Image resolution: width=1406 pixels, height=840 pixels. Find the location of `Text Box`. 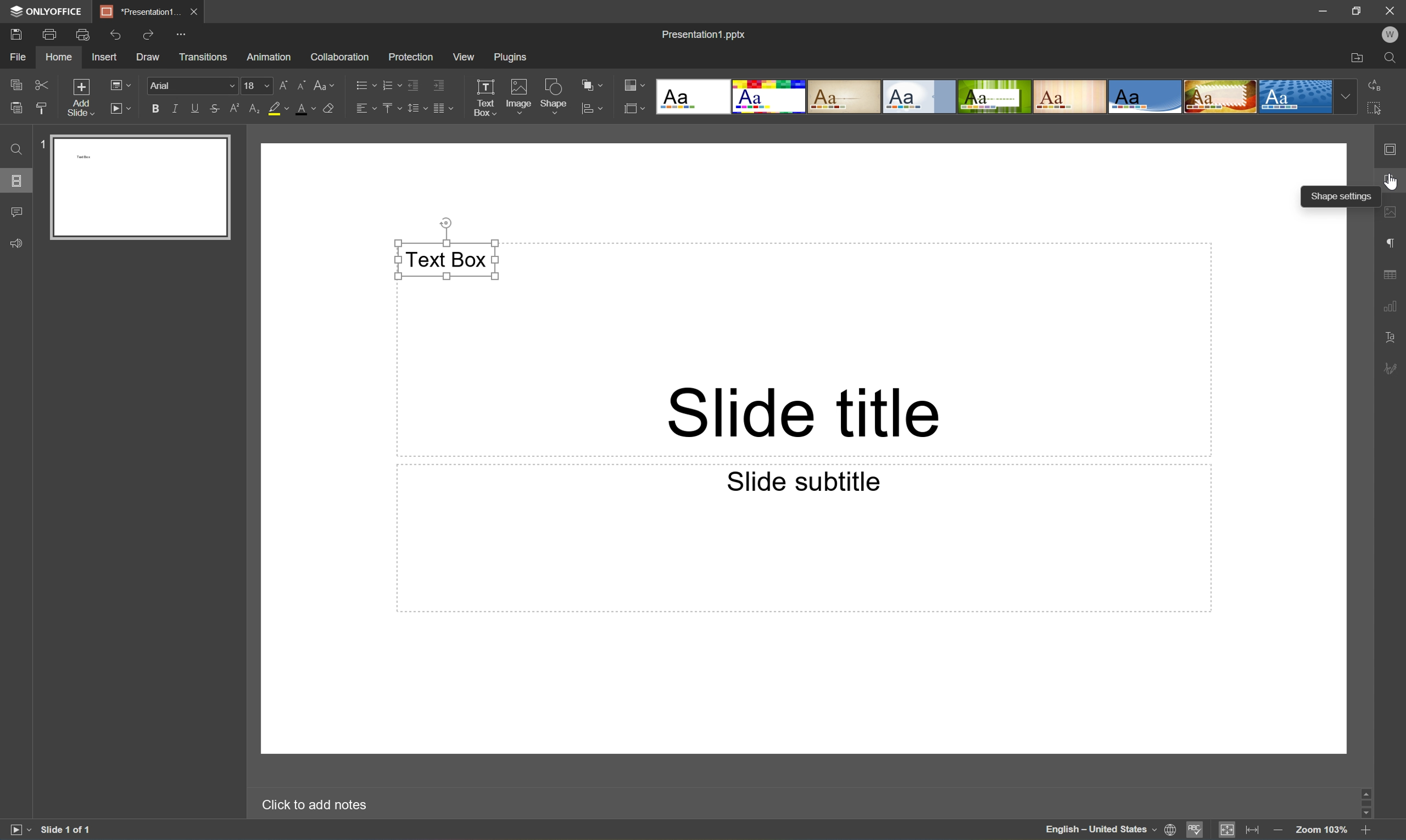

Text Box is located at coordinates (452, 257).